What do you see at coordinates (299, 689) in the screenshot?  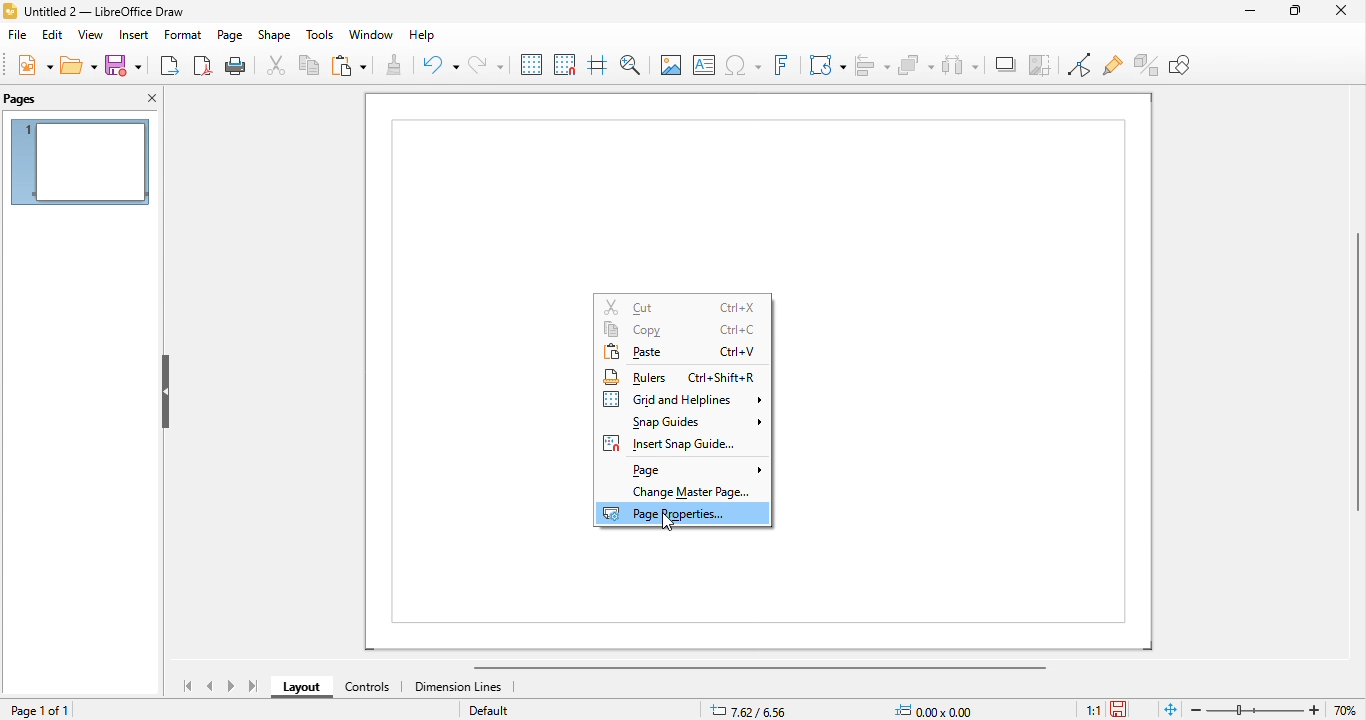 I see `layout` at bounding box center [299, 689].